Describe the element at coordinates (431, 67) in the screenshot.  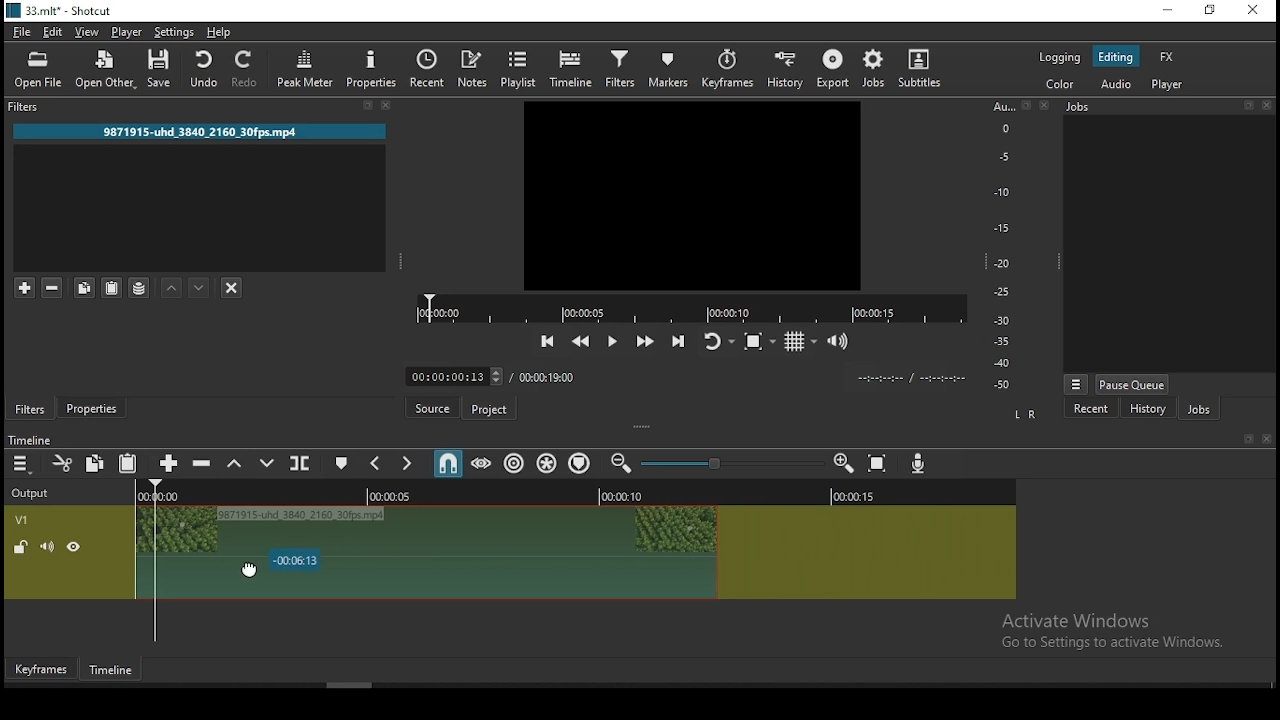
I see `split at playhead` at that location.